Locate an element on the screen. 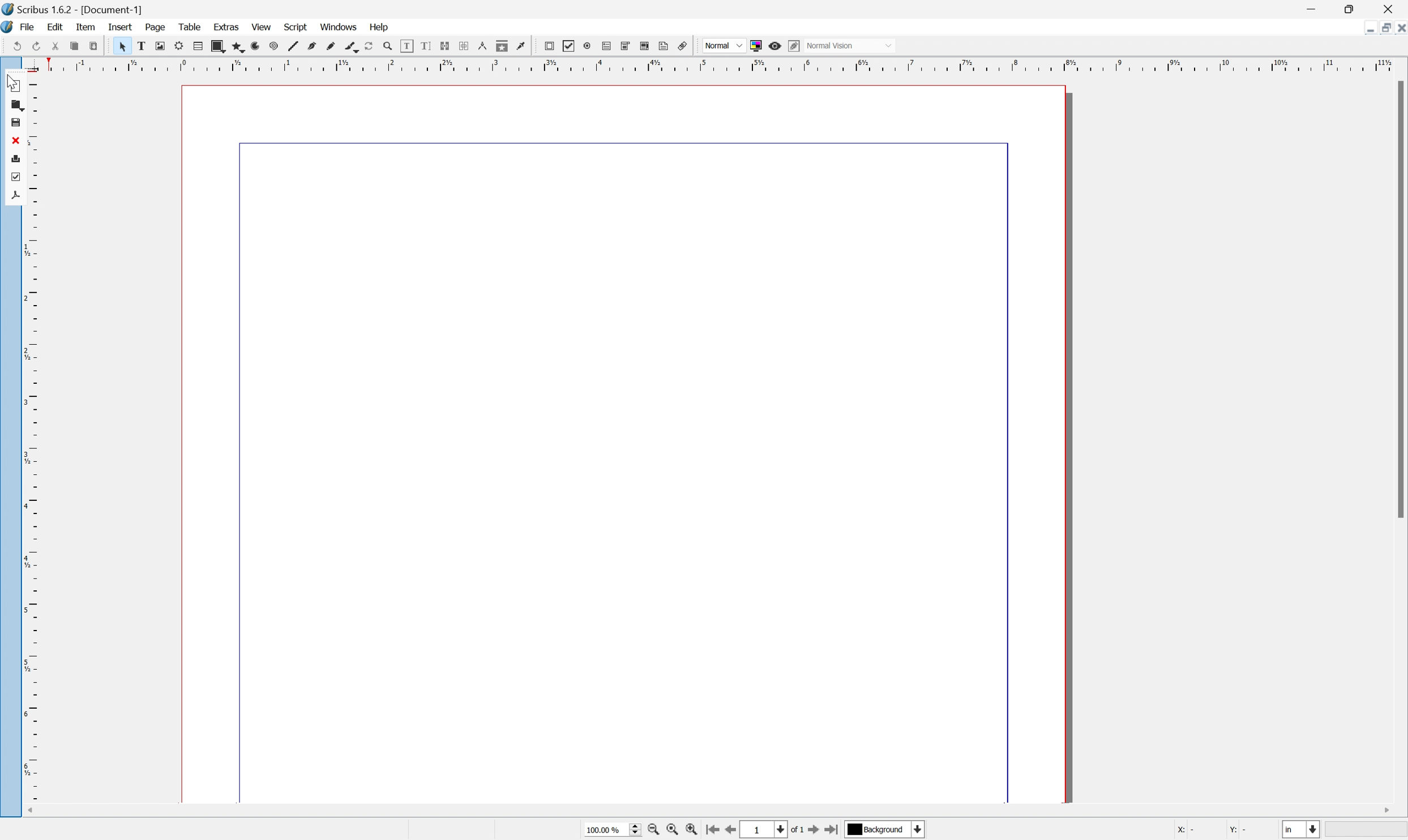  print is located at coordinates (16, 158).